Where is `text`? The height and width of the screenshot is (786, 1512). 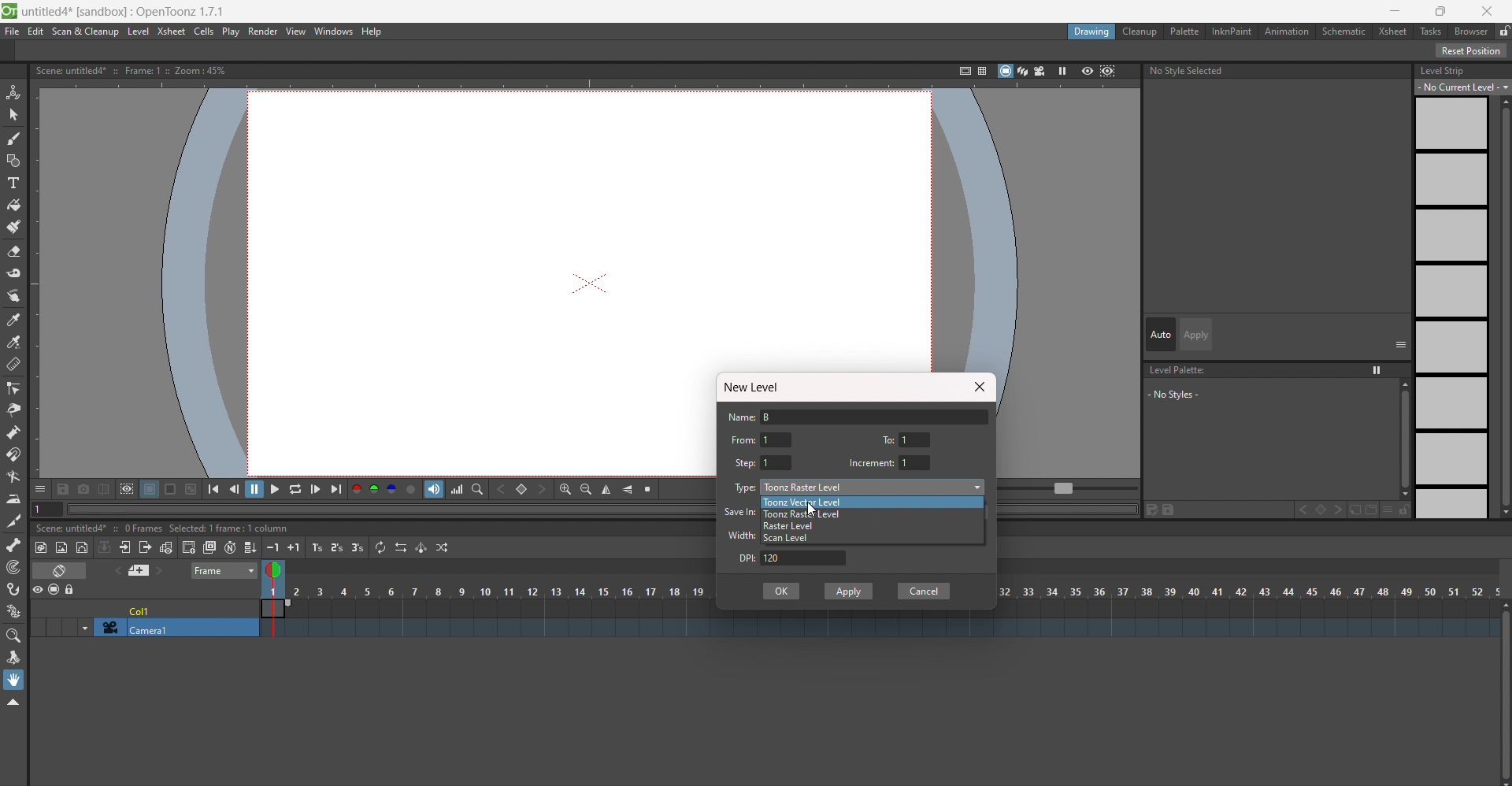
text is located at coordinates (165, 528).